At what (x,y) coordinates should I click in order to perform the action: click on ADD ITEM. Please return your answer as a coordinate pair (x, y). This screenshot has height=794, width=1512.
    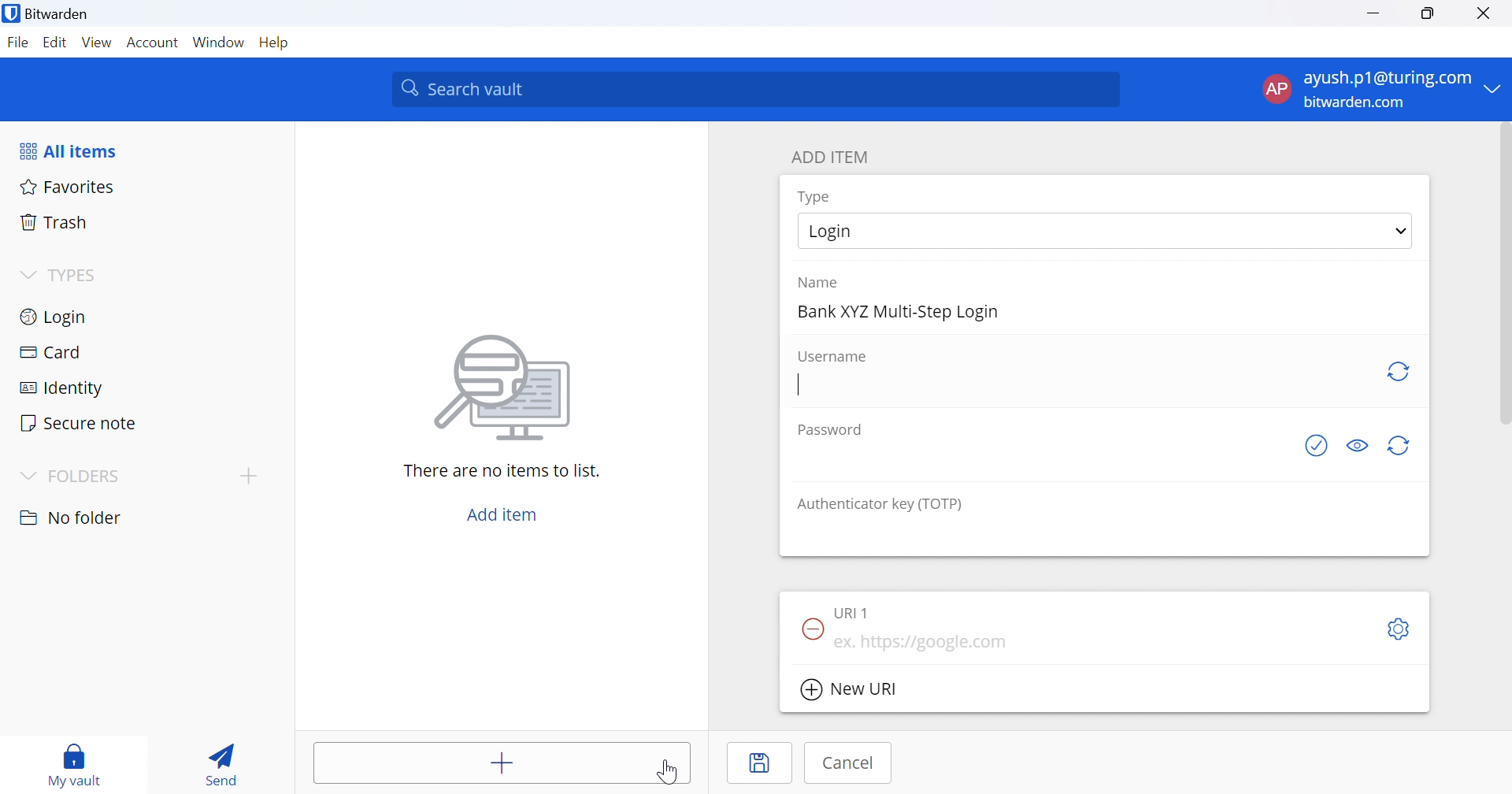
    Looking at the image, I should click on (834, 155).